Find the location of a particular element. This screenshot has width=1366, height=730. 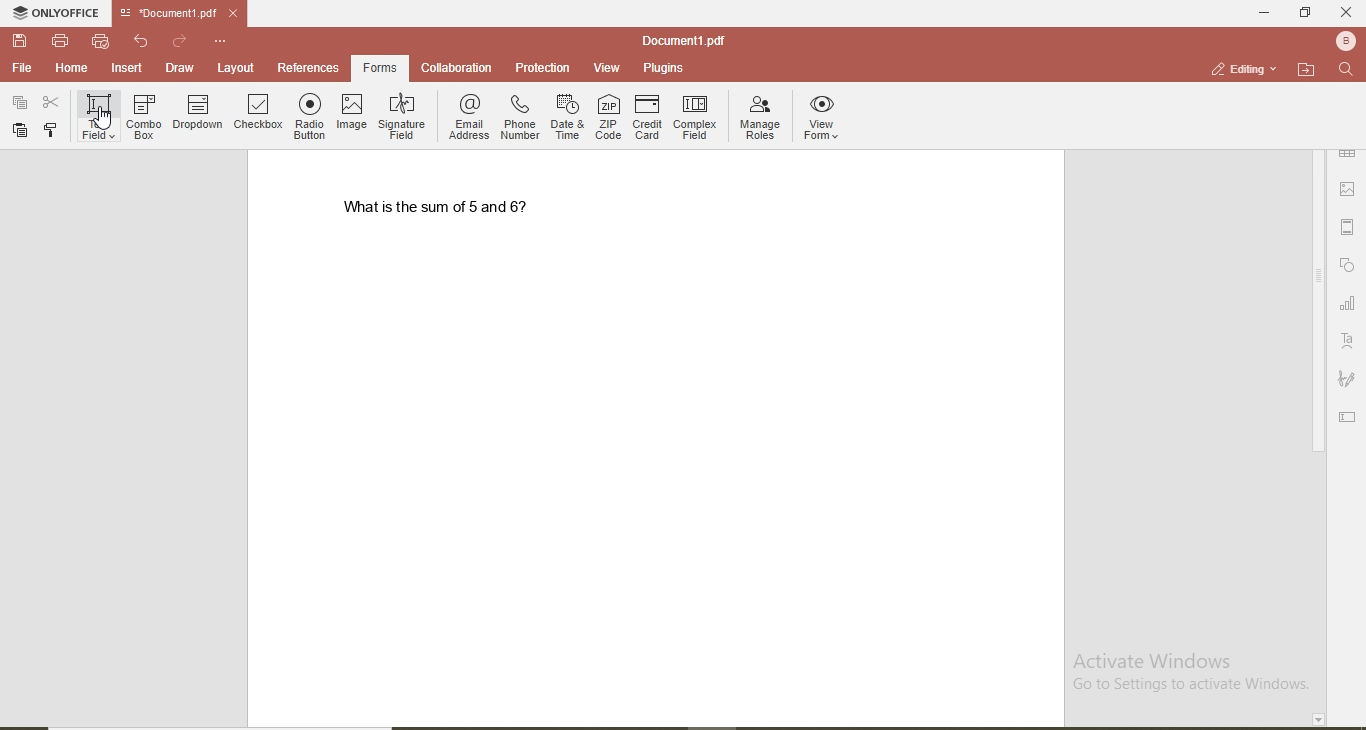

save is located at coordinates (17, 39).